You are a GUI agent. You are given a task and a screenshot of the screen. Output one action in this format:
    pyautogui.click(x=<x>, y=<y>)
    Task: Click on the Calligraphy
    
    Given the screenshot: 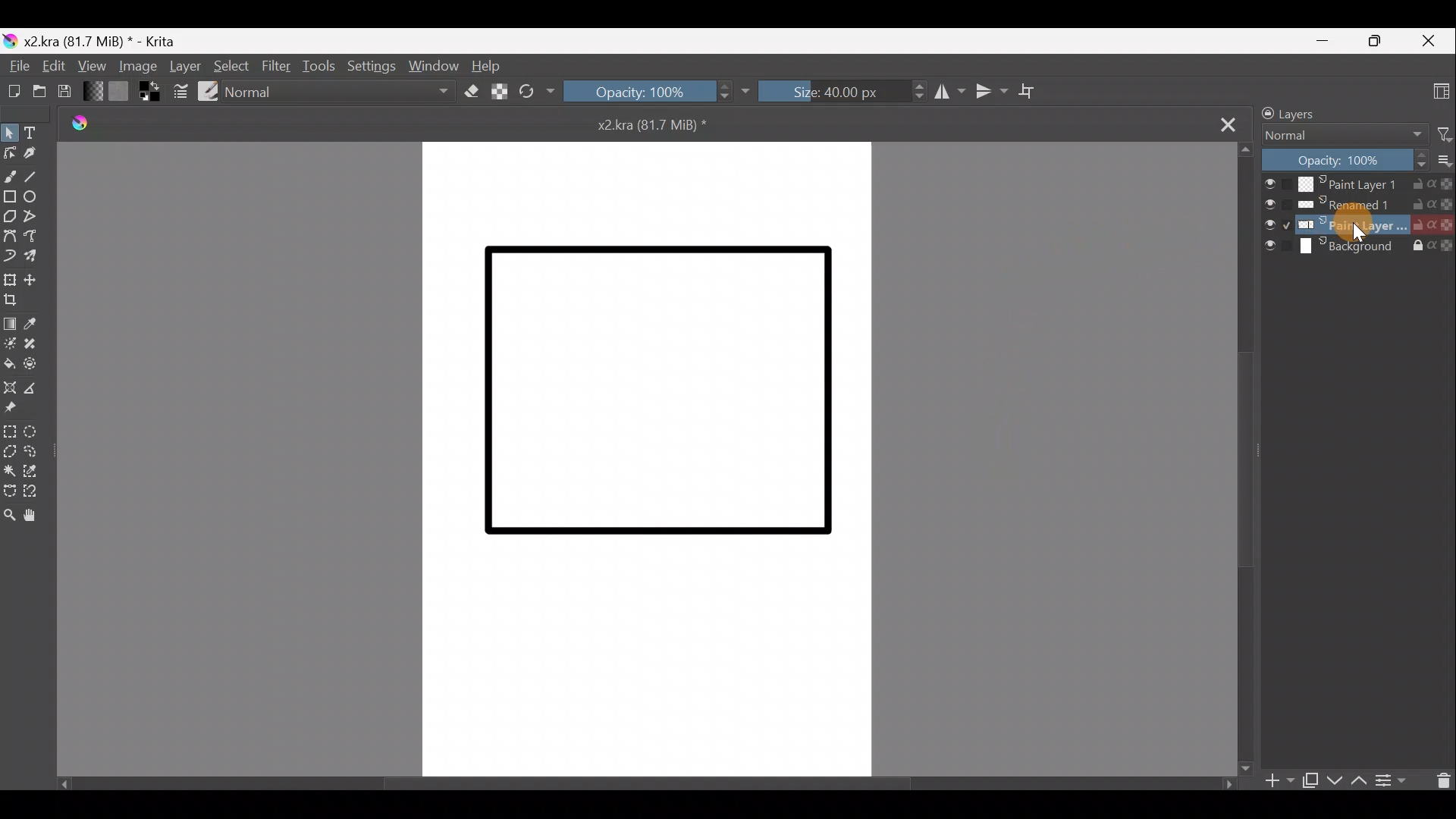 What is the action you would take?
    pyautogui.click(x=33, y=152)
    